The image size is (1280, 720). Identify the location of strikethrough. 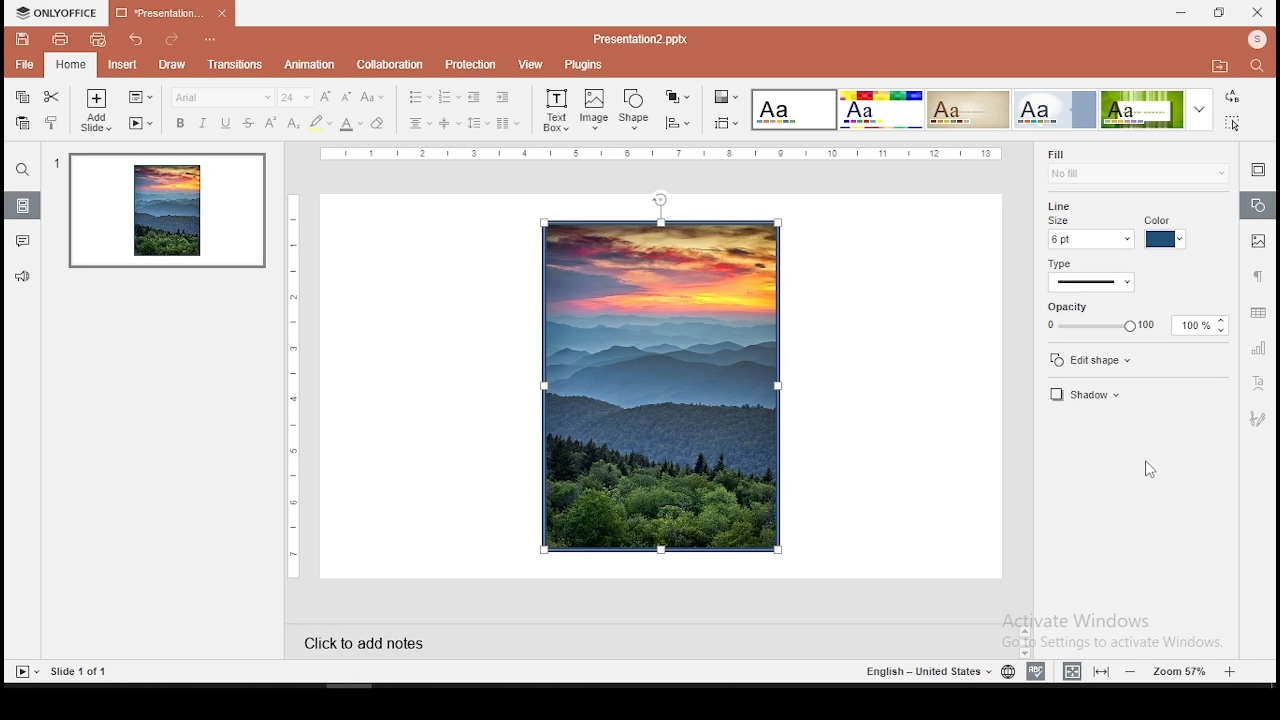
(249, 121).